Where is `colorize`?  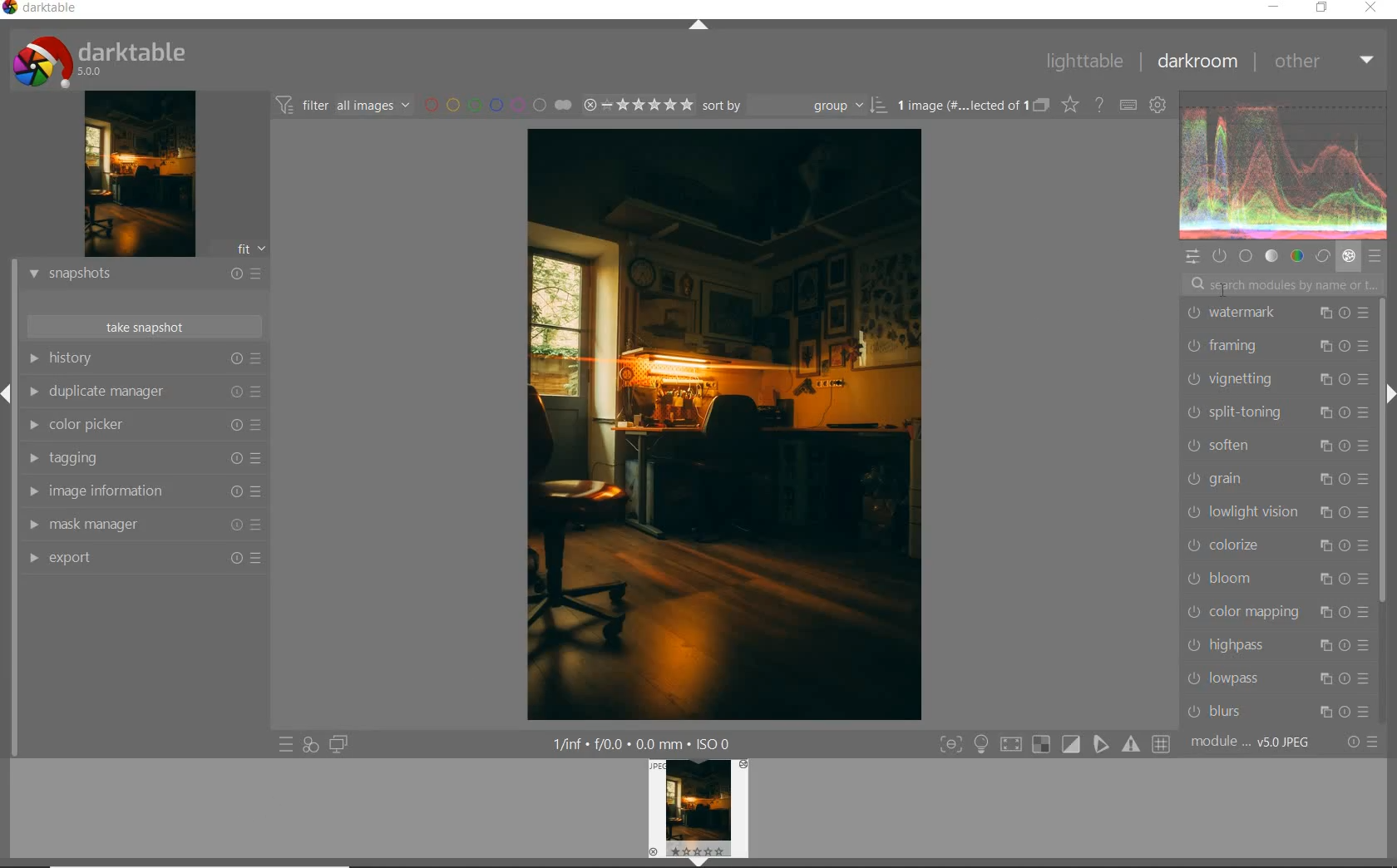 colorize is located at coordinates (1275, 545).